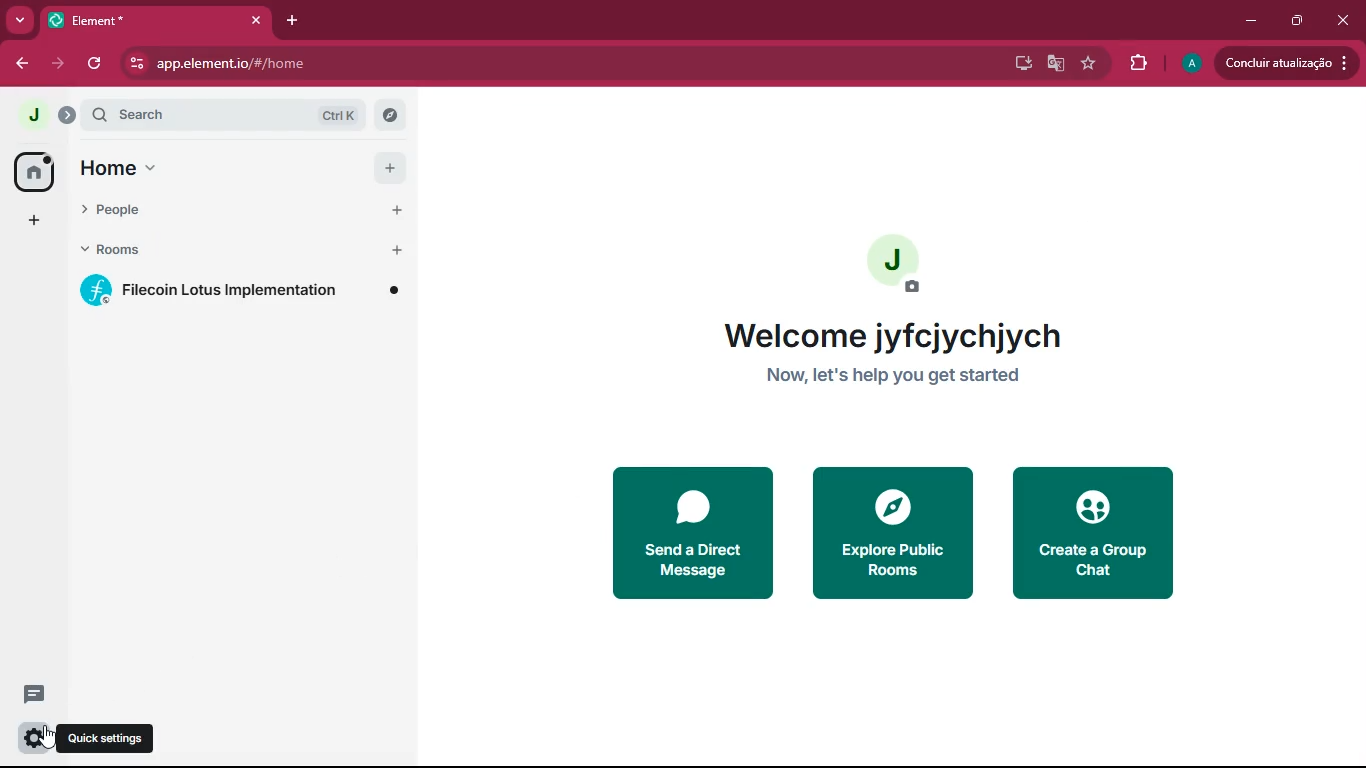 The width and height of the screenshot is (1366, 768). What do you see at coordinates (1087, 65) in the screenshot?
I see `favourite` at bounding box center [1087, 65].